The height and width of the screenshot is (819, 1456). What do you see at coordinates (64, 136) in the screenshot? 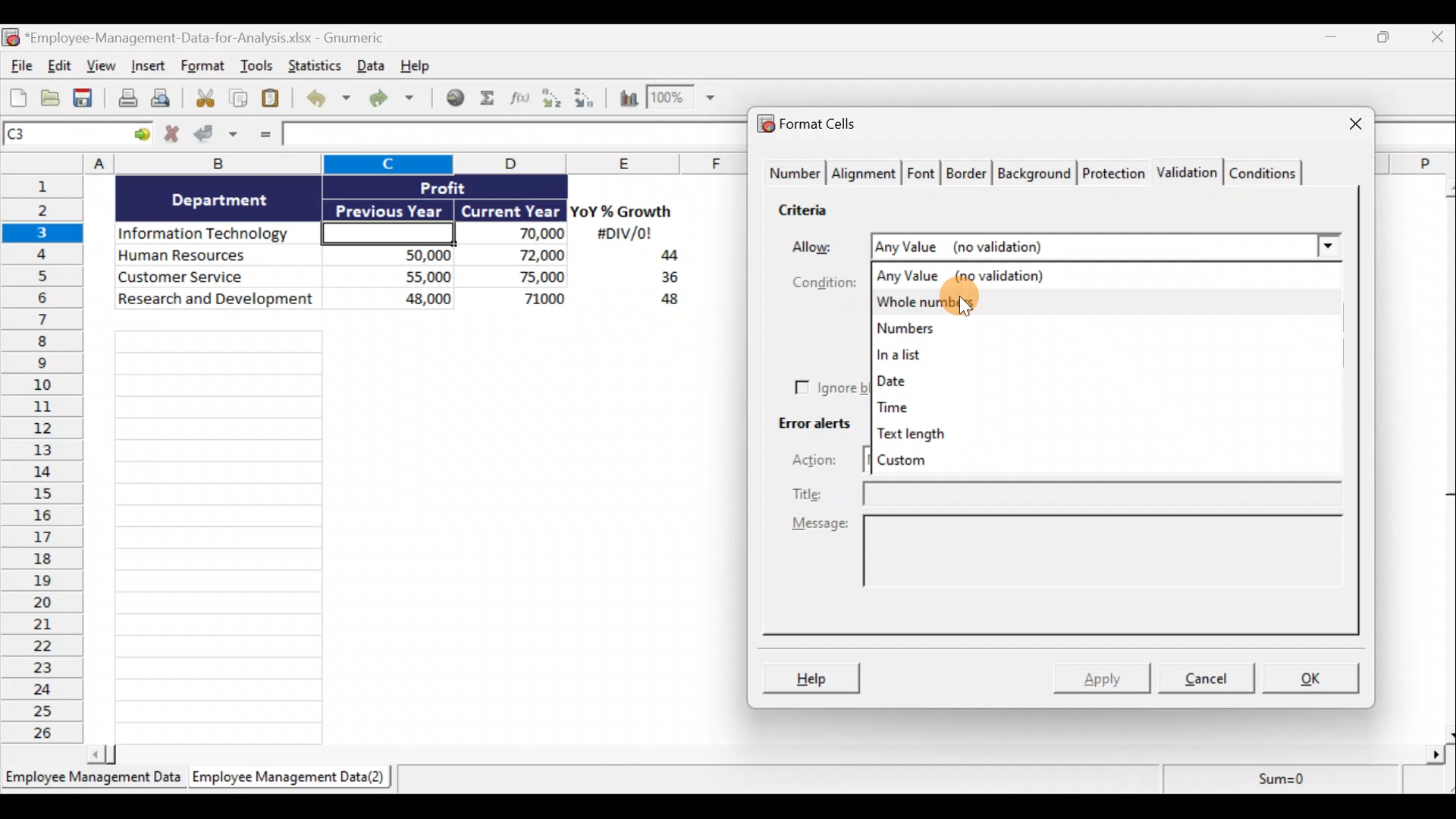
I see `Cell name C1` at bounding box center [64, 136].